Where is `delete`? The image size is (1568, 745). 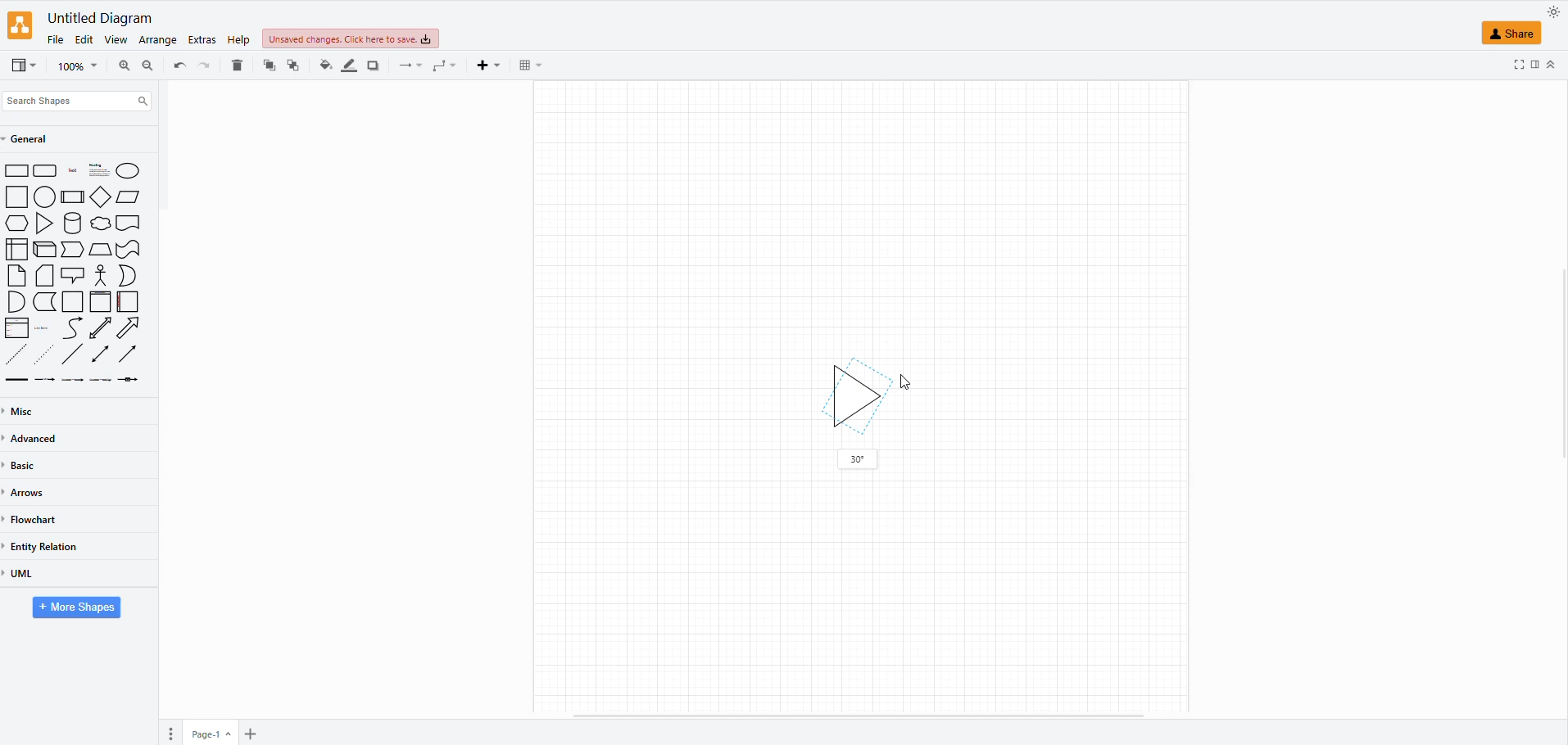 delete is located at coordinates (238, 61).